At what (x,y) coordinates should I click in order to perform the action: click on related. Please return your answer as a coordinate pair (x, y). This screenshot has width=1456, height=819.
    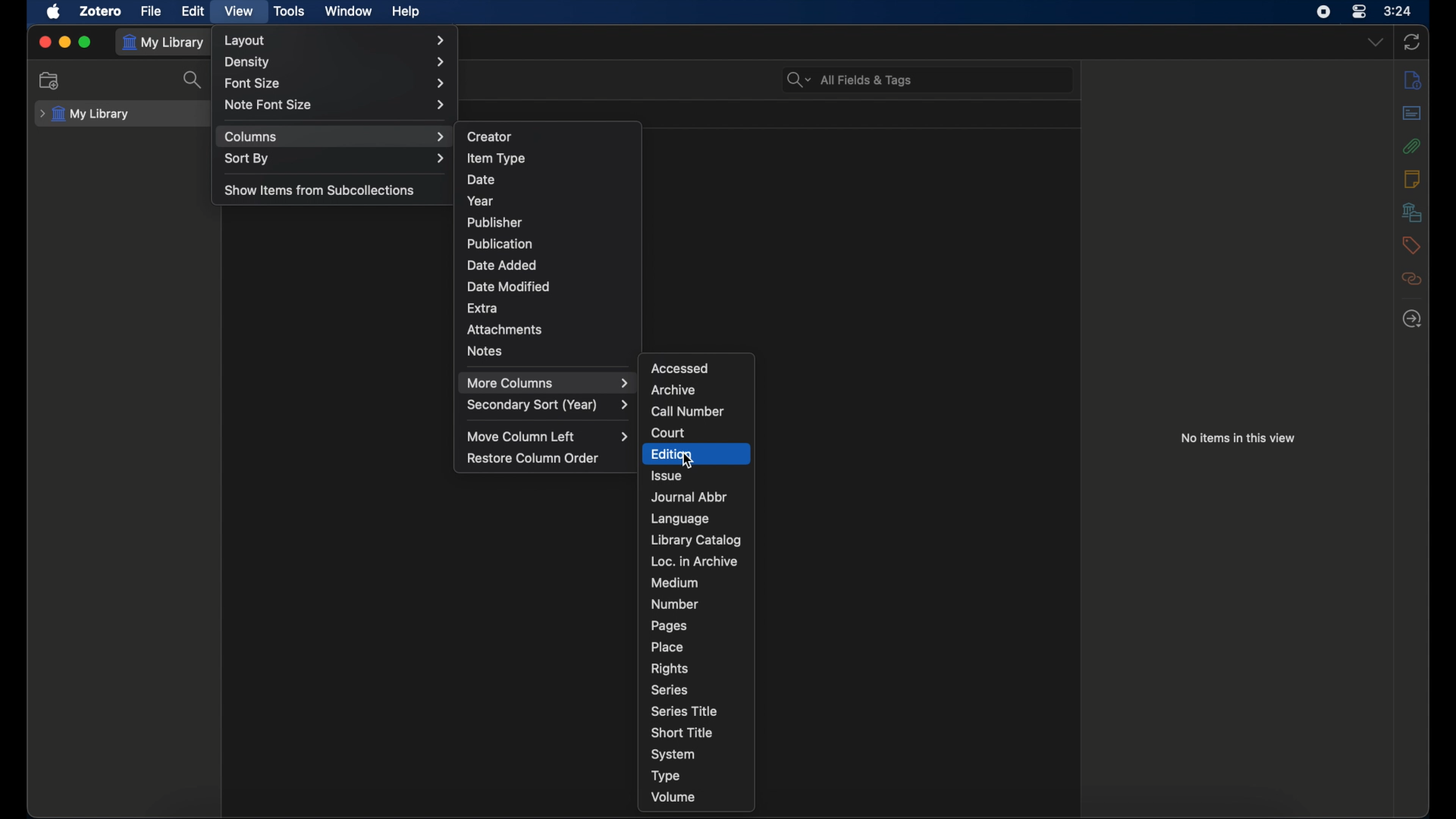
    Looking at the image, I should click on (1412, 279).